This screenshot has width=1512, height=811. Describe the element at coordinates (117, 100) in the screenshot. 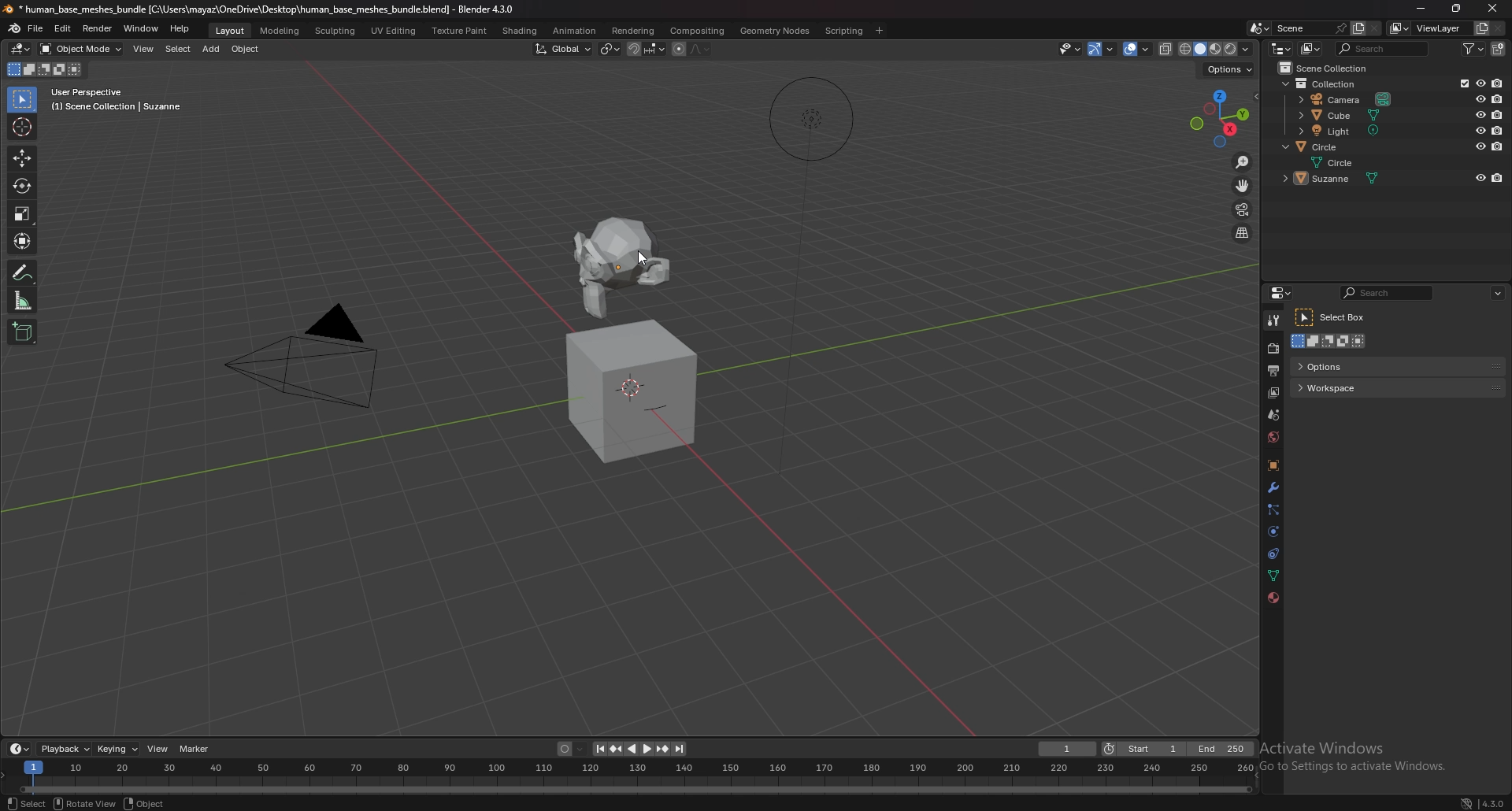

I see `info` at that location.